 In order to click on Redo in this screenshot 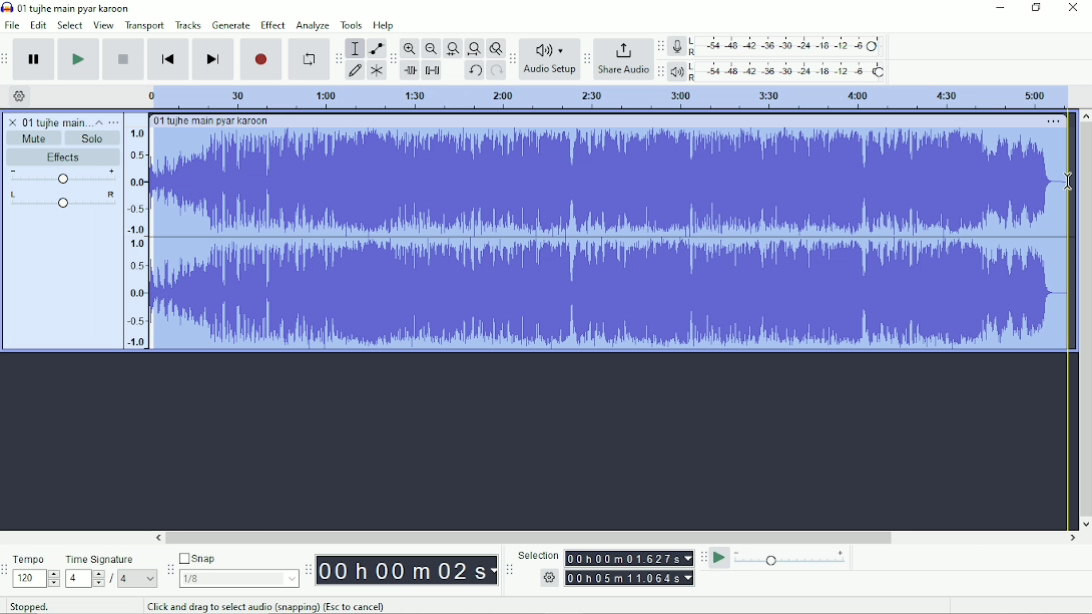, I will do `click(496, 71)`.